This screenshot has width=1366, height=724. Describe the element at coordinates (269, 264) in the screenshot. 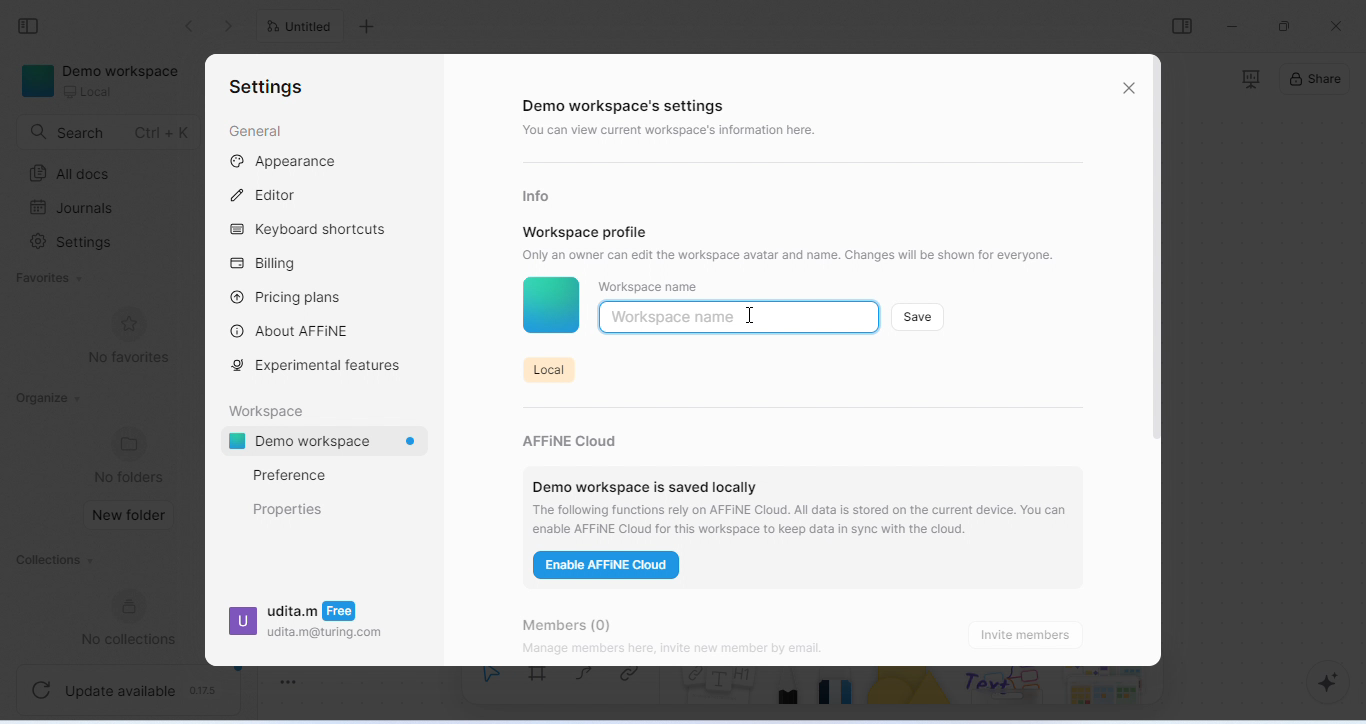

I see `billing` at that location.